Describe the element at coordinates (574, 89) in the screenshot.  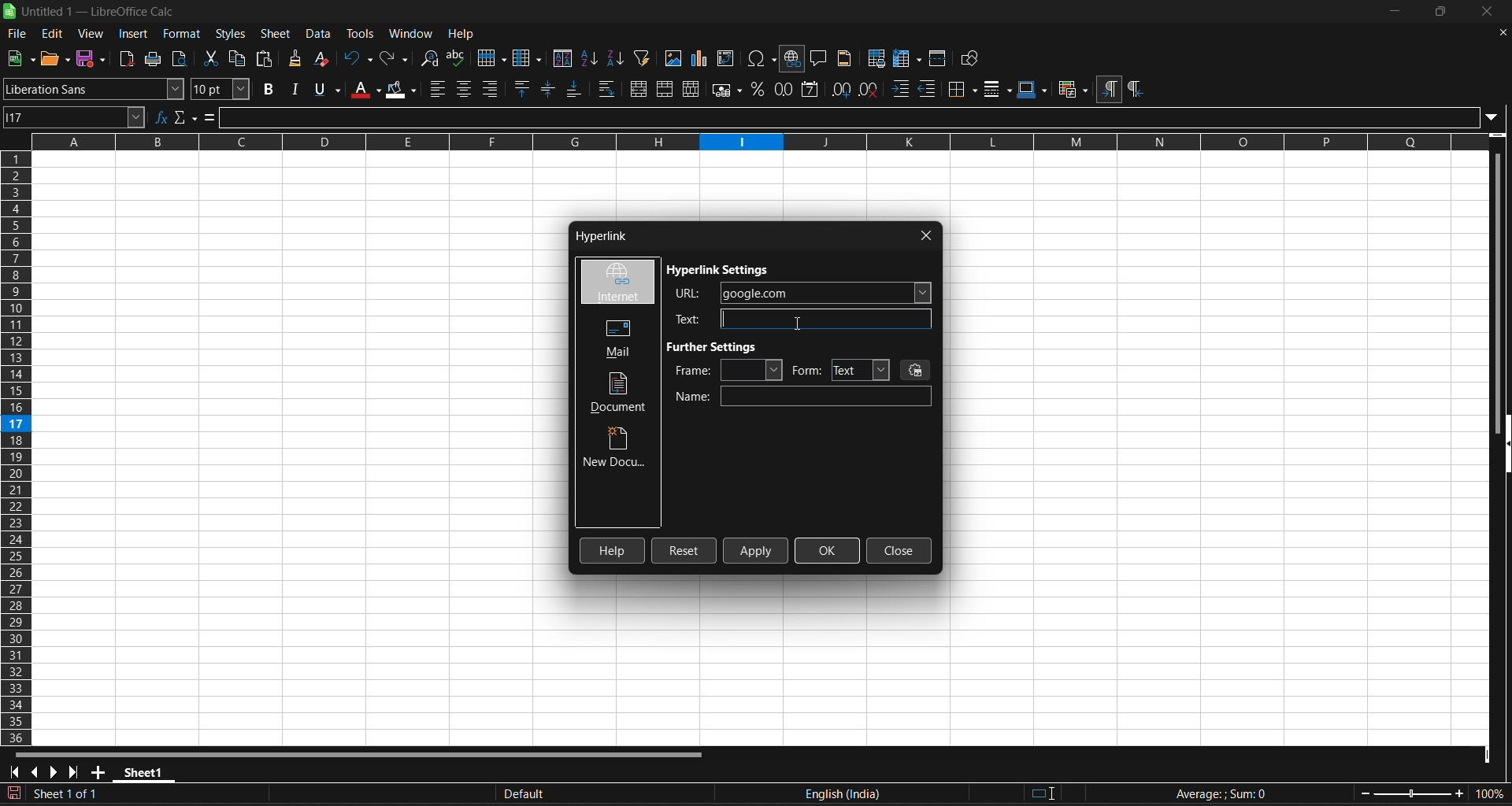
I see `align bottom` at that location.